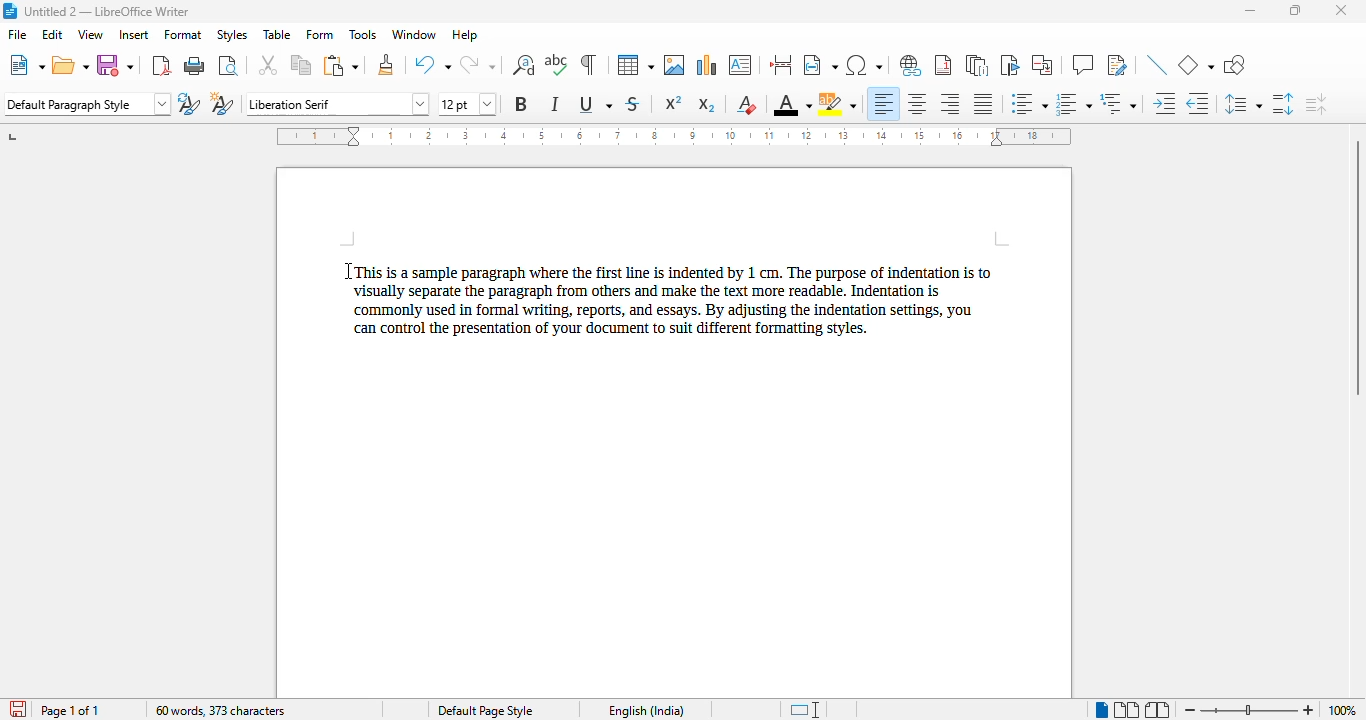  Describe the element at coordinates (782, 65) in the screenshot. I see `insert page break` at that location.